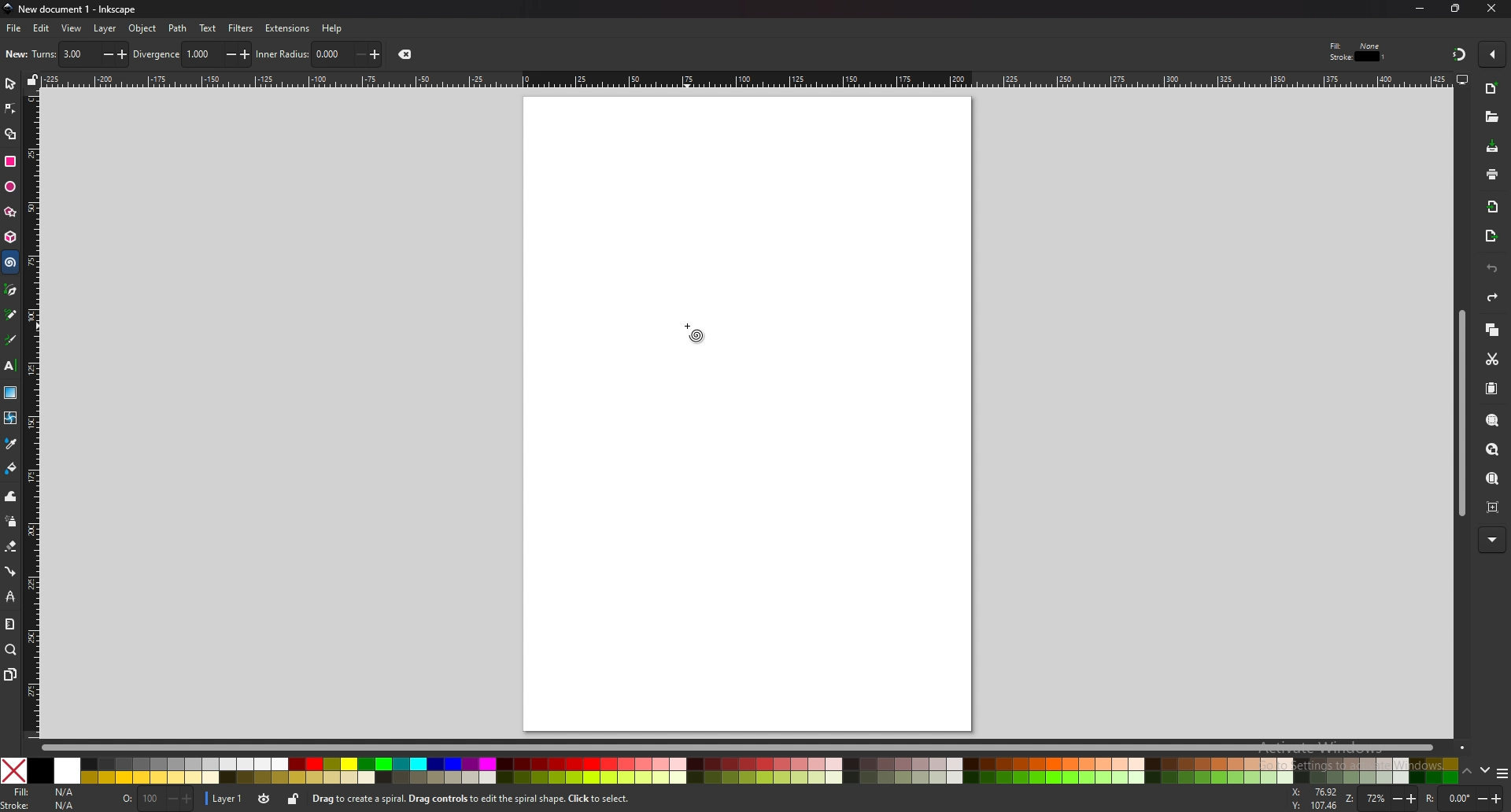 The height and width of the screenshot is (812, 1511). What do you see at coordinates (17, 54) in the screenshot?
I see `new:` at bounding box center [17, 54].